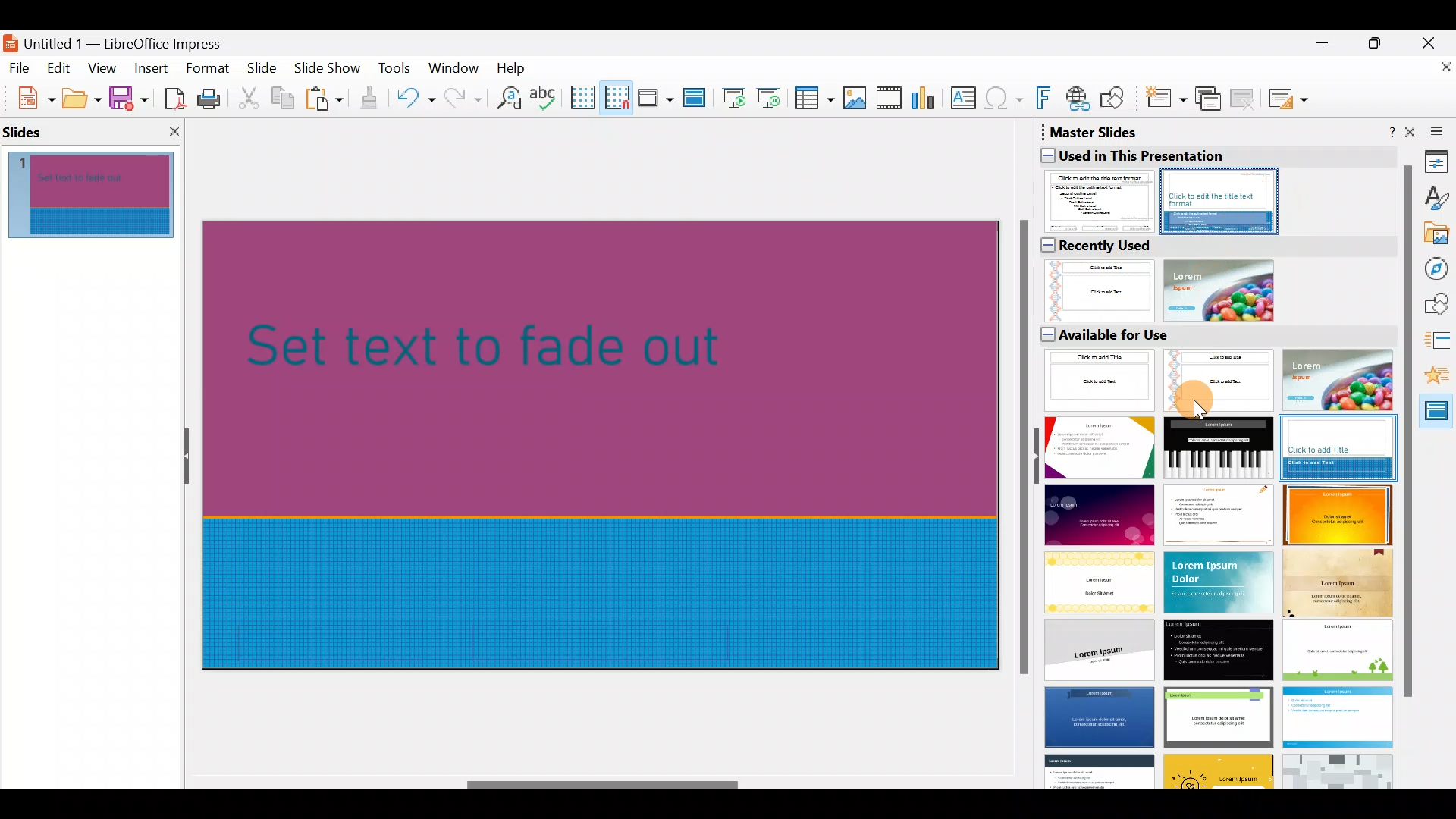  I want to click on Close, so click(1434, 41).